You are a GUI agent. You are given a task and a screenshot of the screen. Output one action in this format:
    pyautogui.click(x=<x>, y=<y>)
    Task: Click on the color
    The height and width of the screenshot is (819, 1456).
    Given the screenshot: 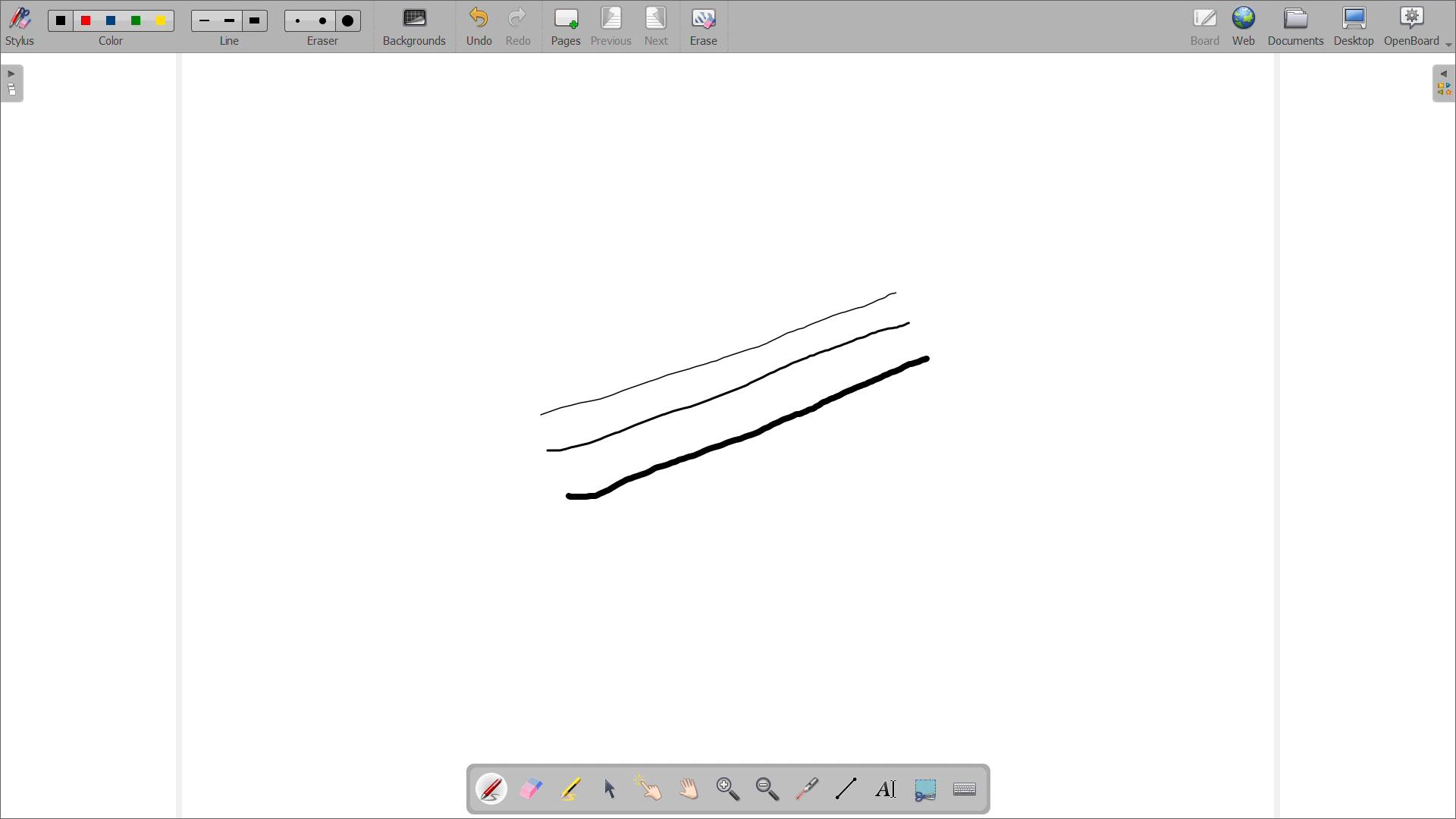 What is the action you would take?
    pyautogui.click(x=88, y=20)
    